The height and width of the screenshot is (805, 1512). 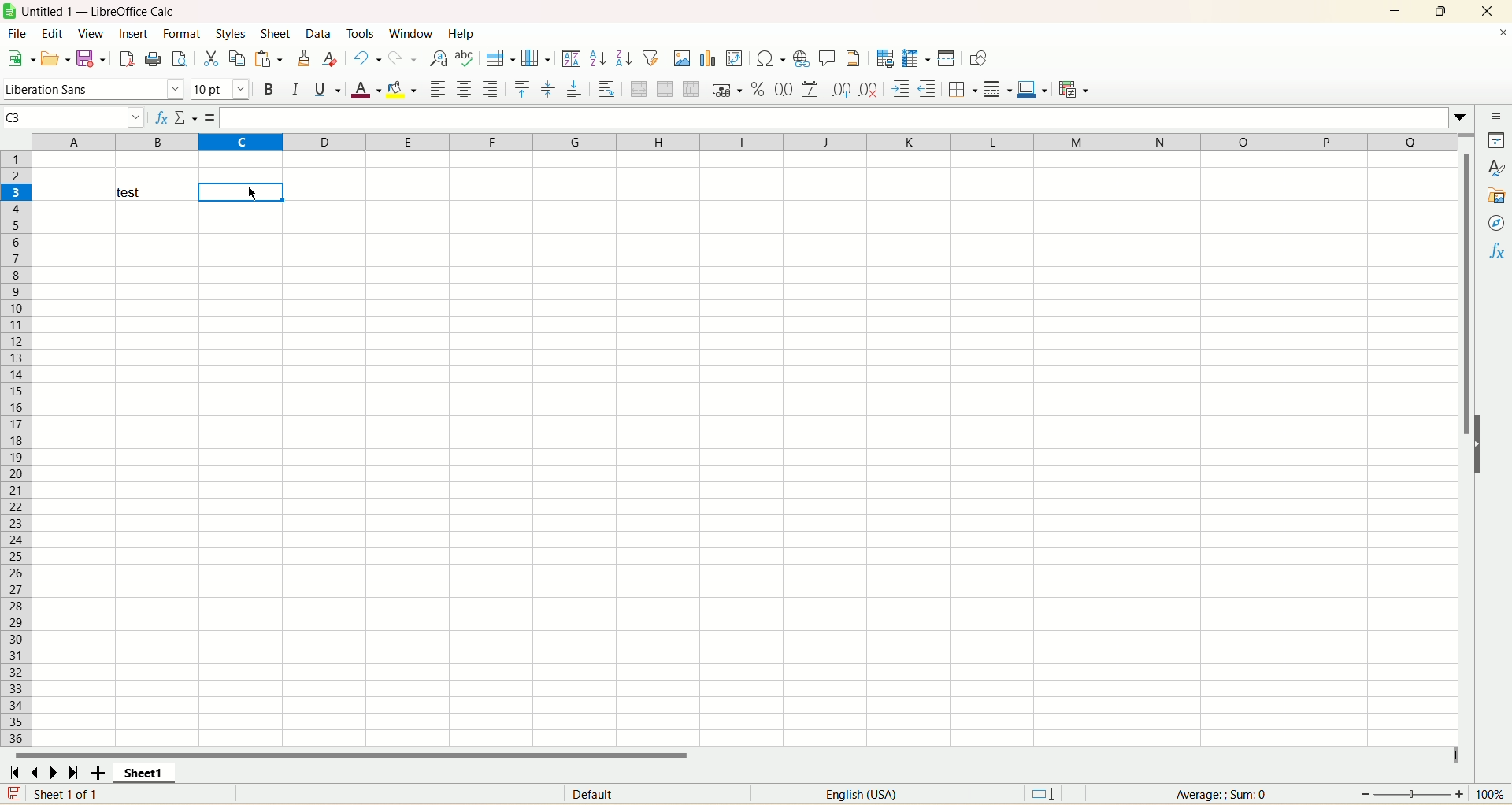 What do you see at coordinates (74, 118) in the screenshot?
I see `Name box` at bounding box center [74, 118].